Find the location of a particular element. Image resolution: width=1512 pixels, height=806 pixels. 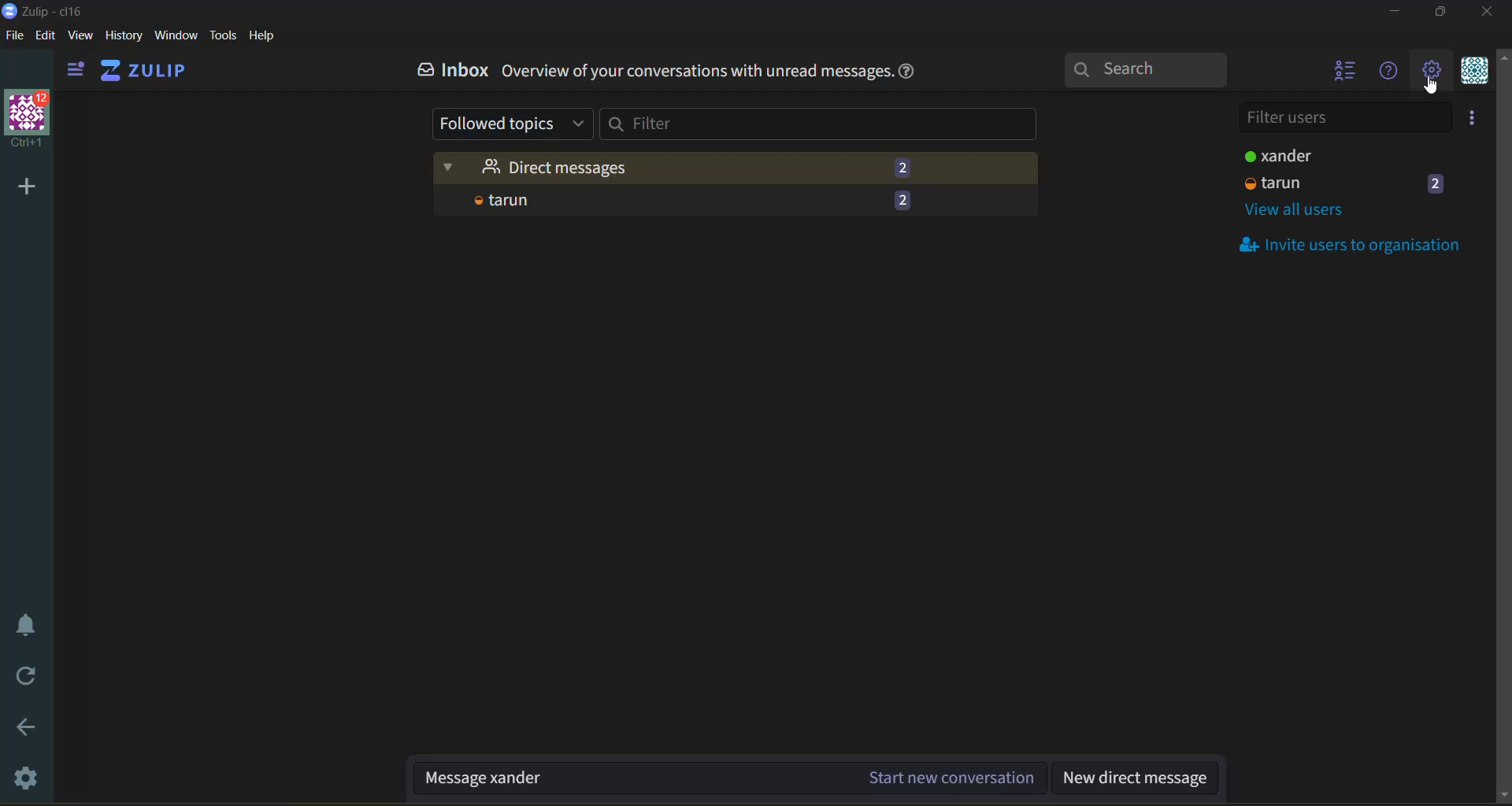

filter is located at coordinates (821, 124).